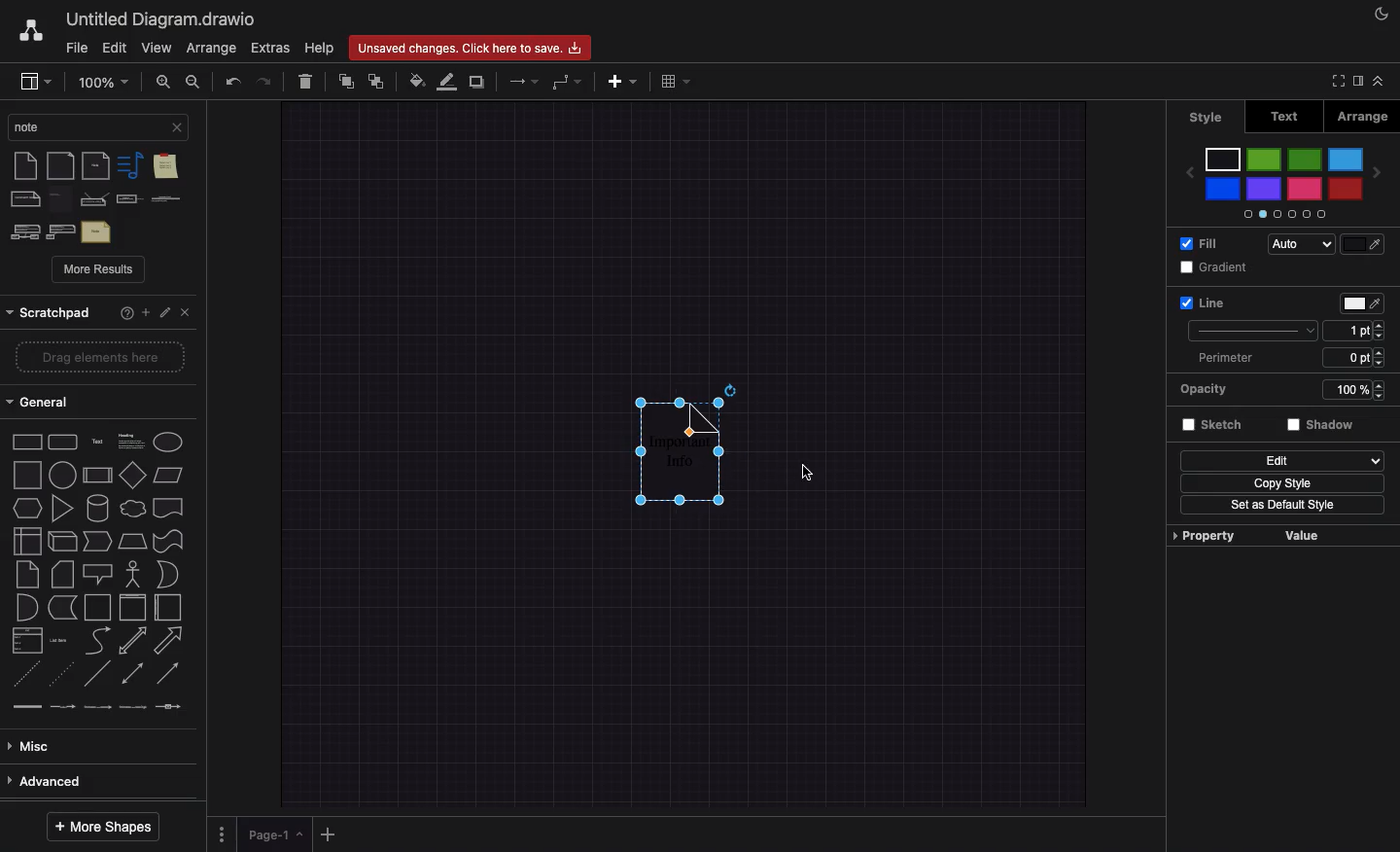  Describe the element at coordinates (25, 199) in the screenshot. I see `comment ` at that location.